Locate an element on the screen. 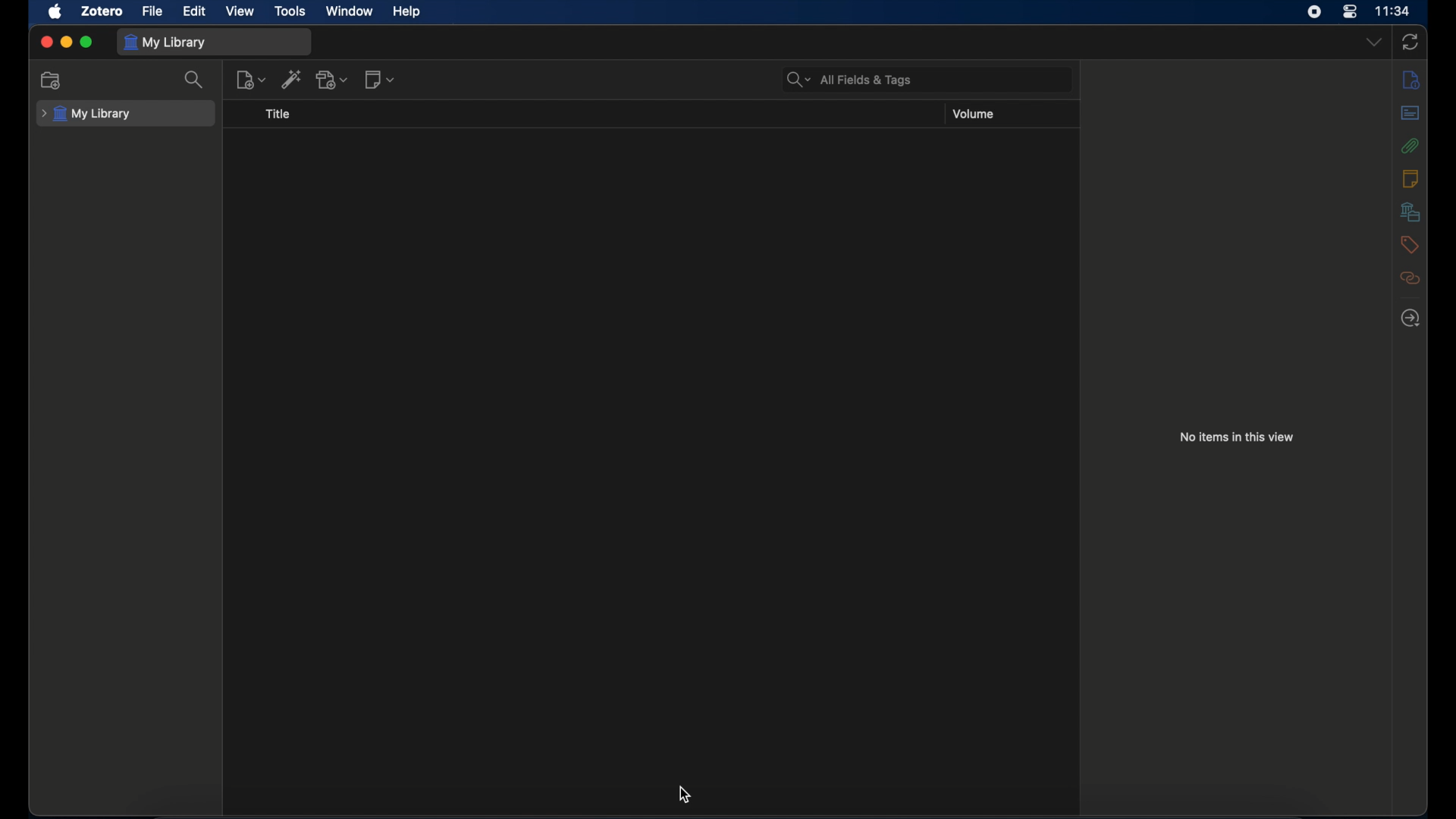 The width and height of the screenshot is (1456, 819). notes is located at coordinates (1409, 178).